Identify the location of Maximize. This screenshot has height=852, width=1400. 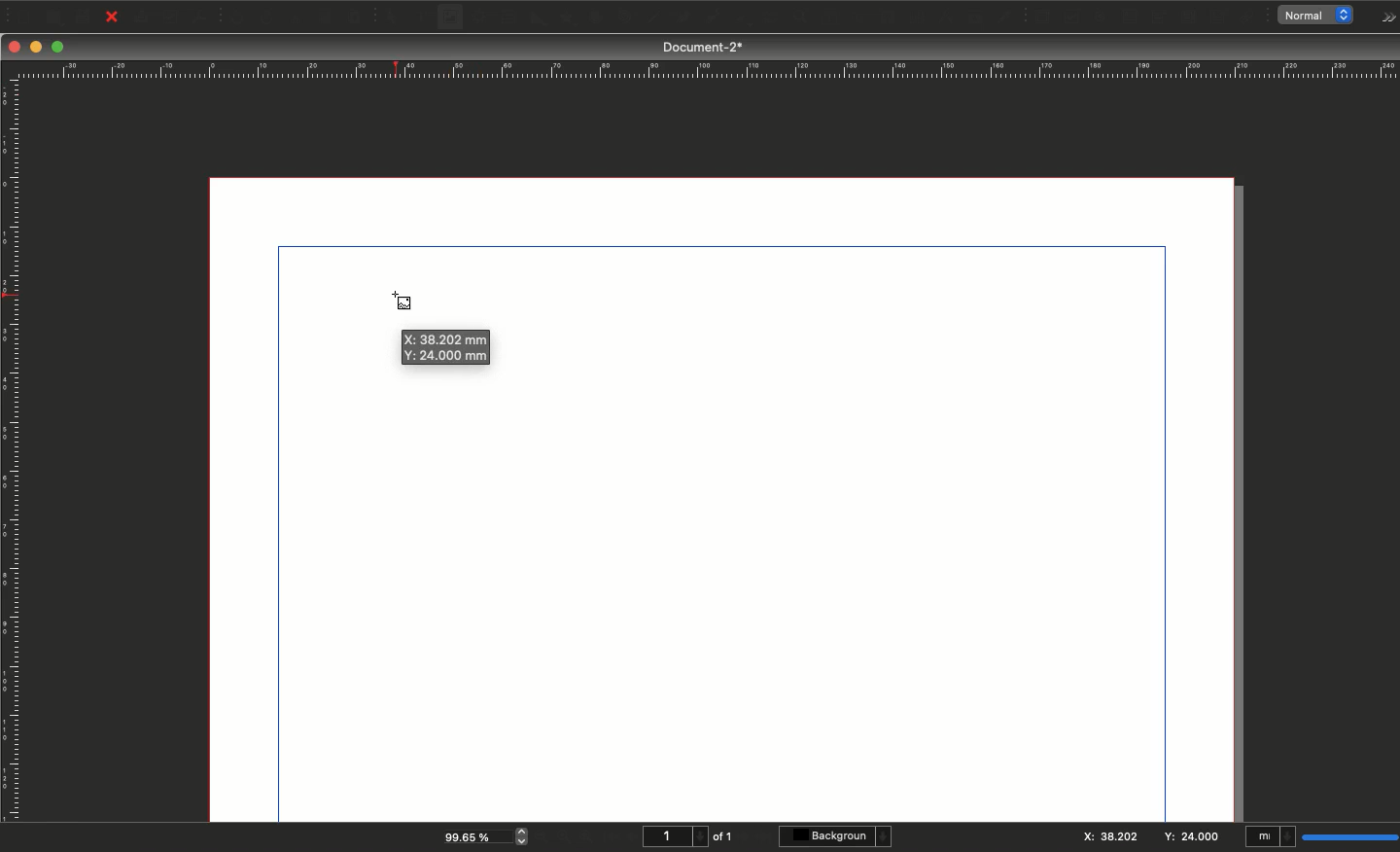
(59, 49).